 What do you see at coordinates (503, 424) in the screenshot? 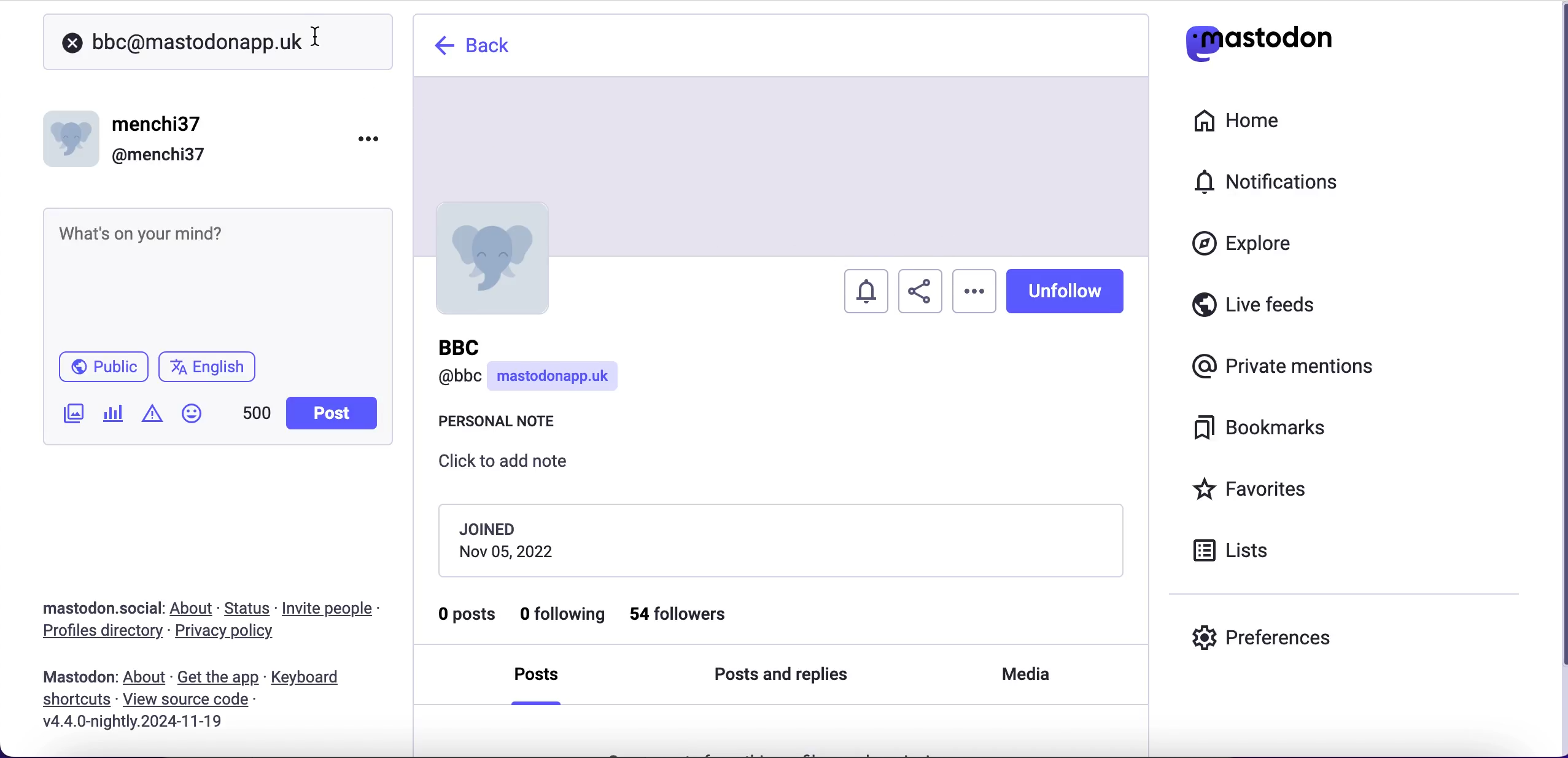
I see `personal note` at bounding box center [503, 424].